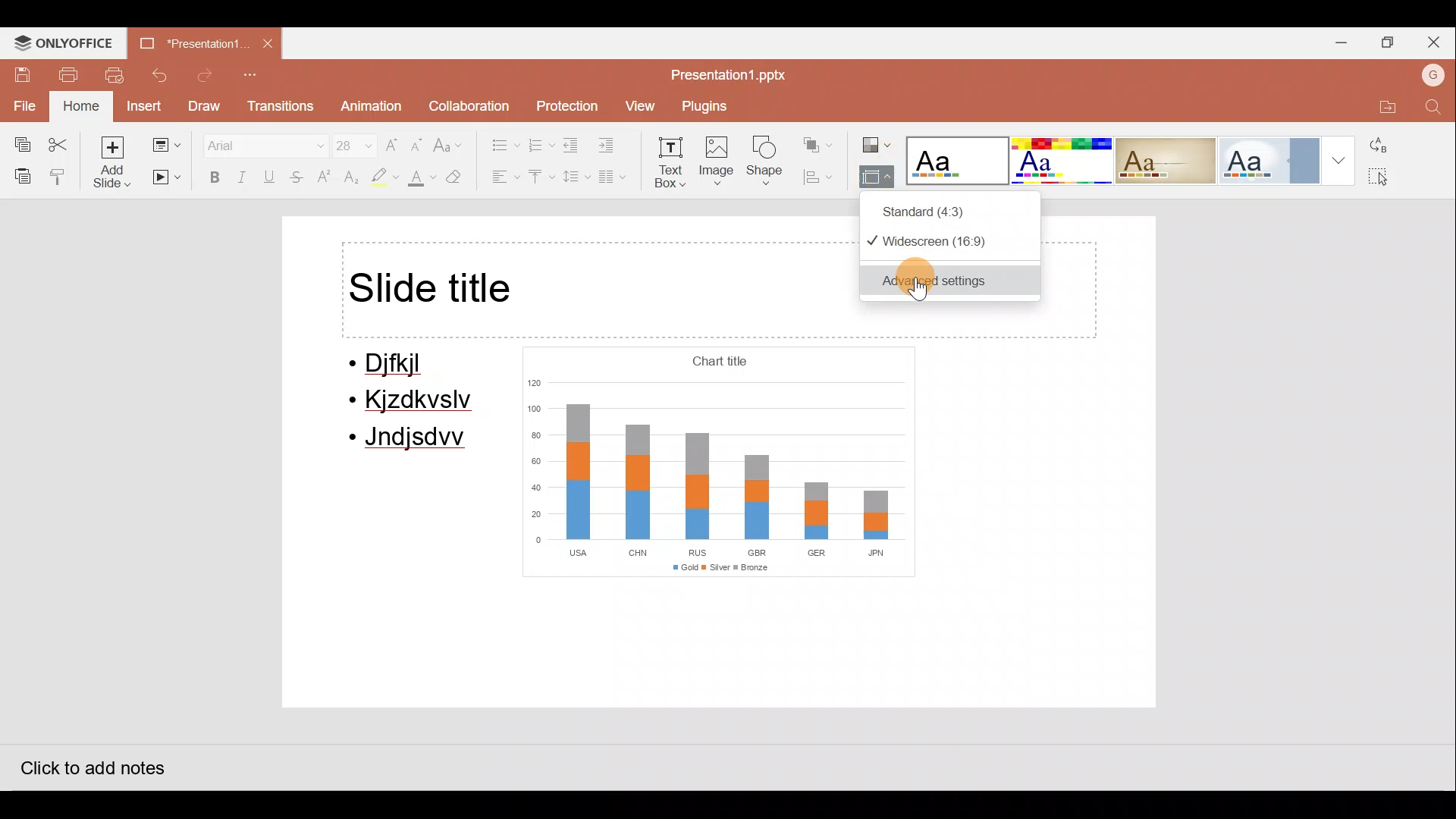  I want to click on Theme 2, so click(1065, 161).